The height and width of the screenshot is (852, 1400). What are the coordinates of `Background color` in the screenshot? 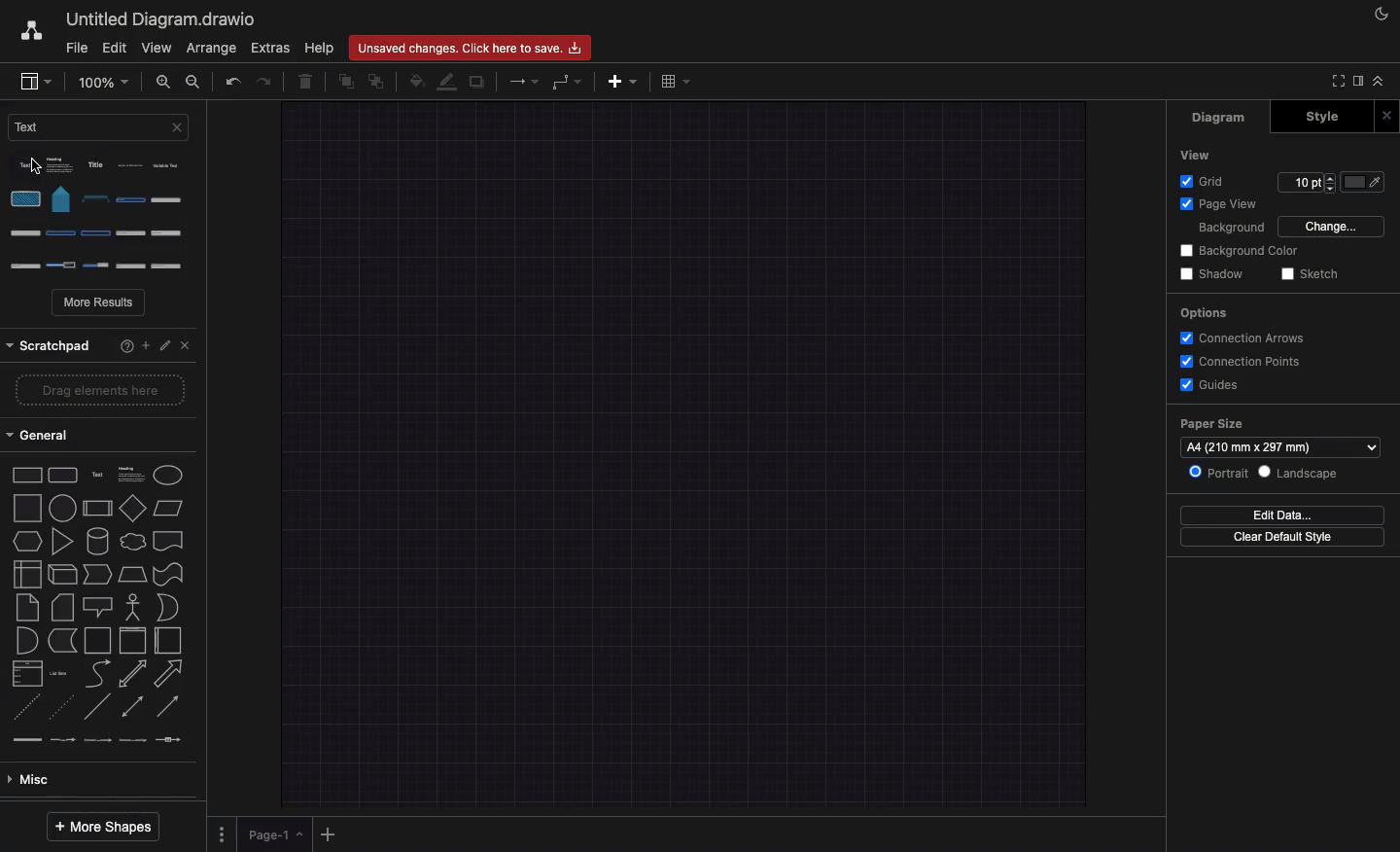 It's located at (1242, 249).